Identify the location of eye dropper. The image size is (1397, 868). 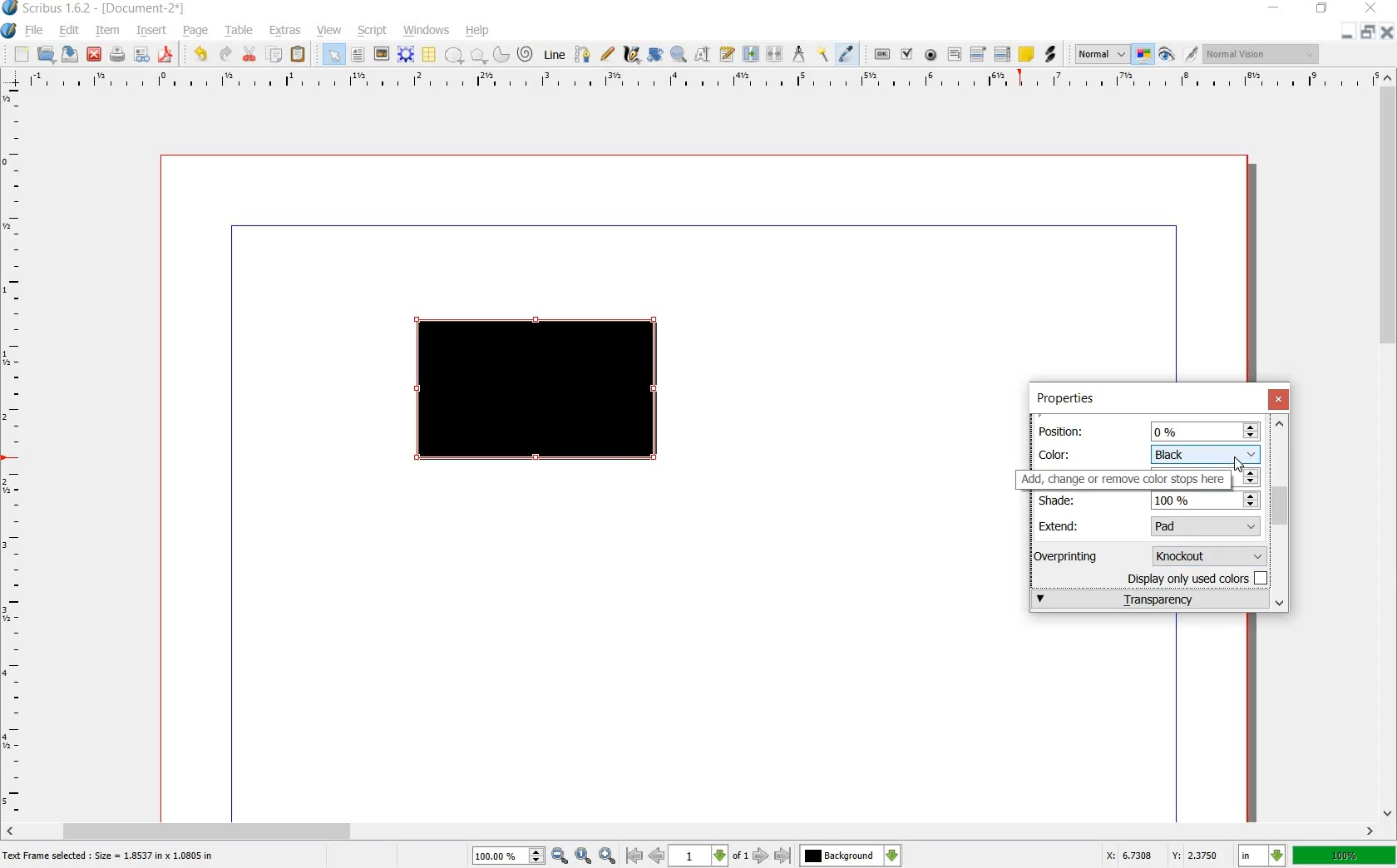
(847, 55).